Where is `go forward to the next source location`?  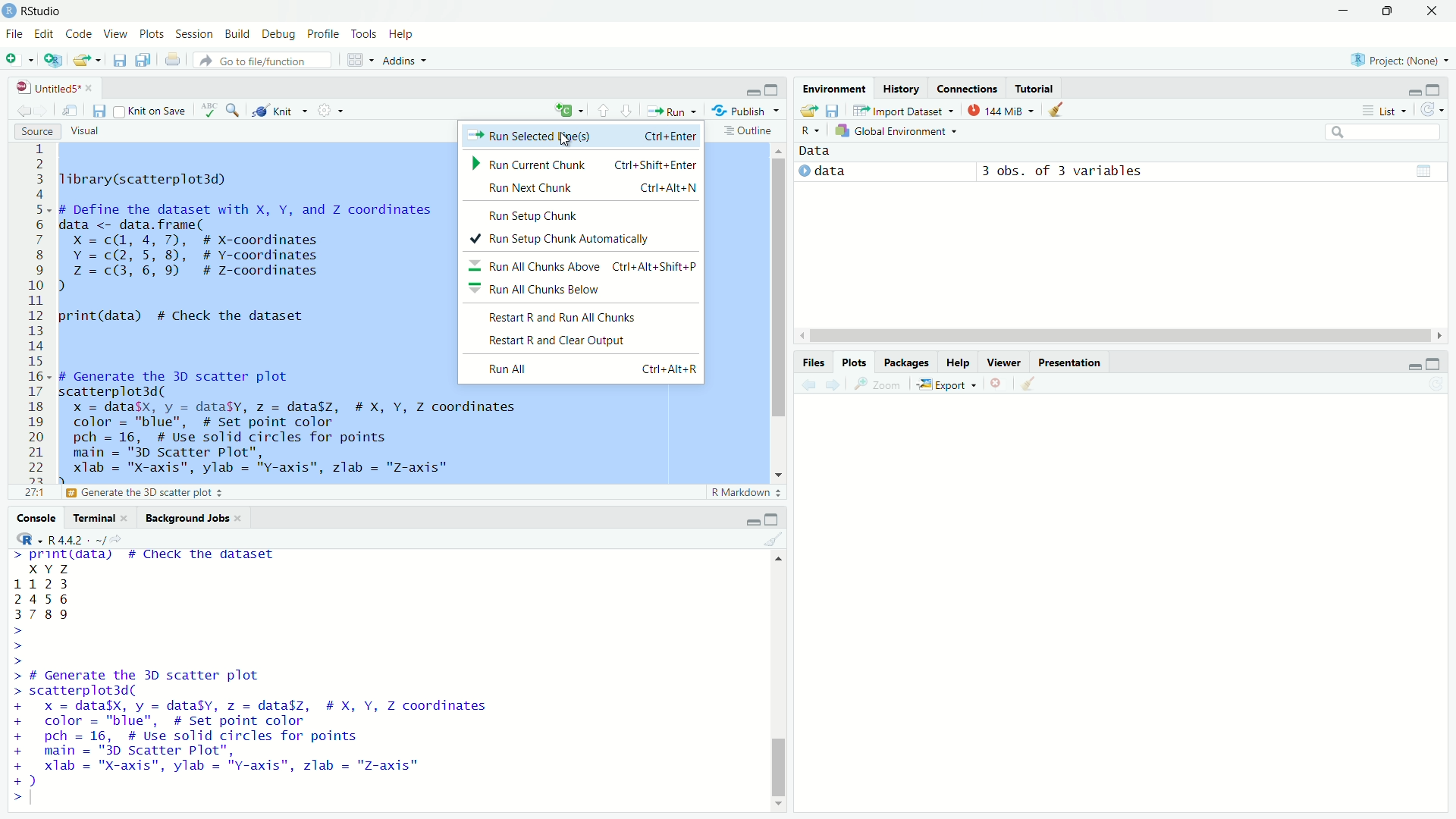 go forward to the next source location is located at coordinates (44, 111).